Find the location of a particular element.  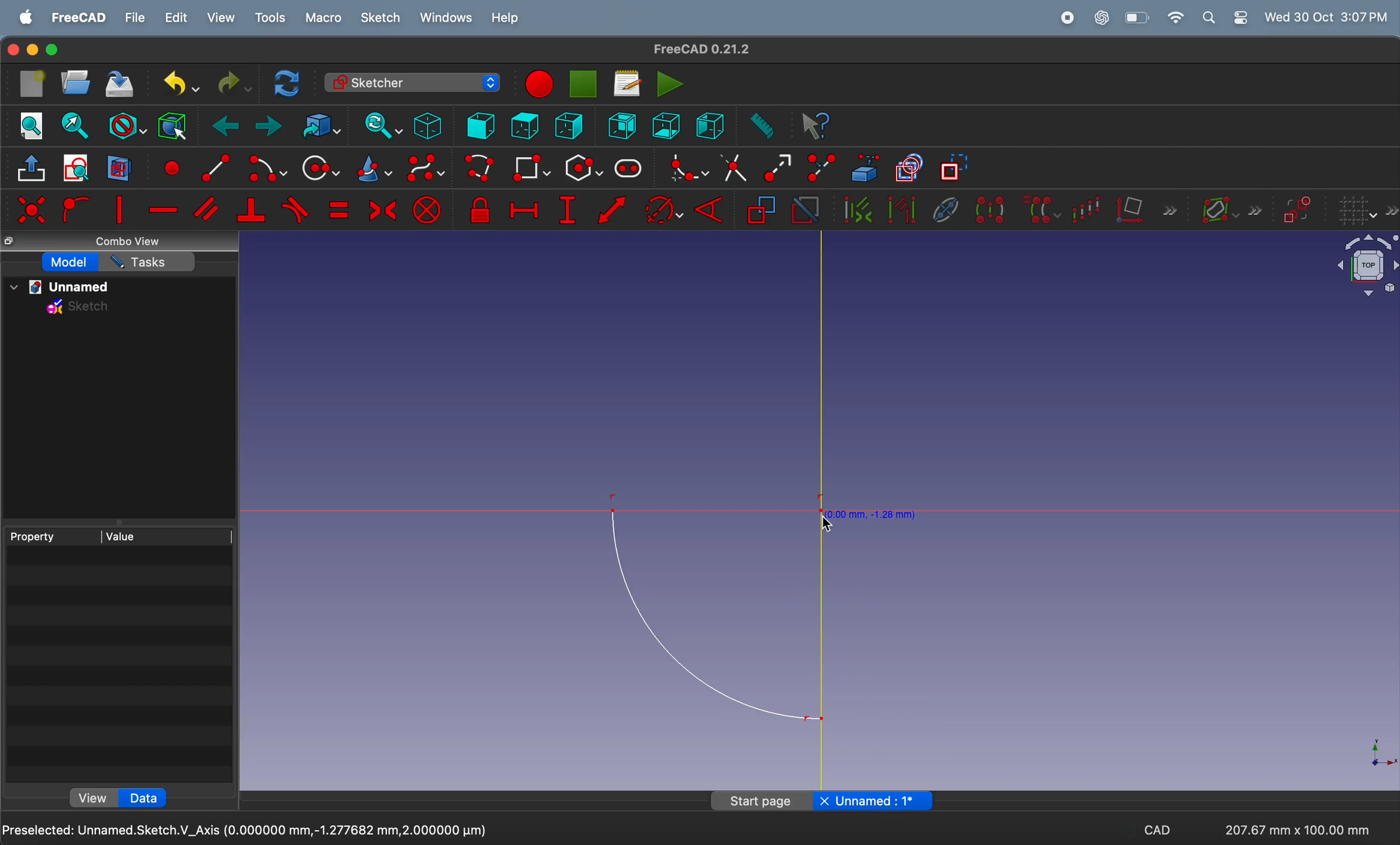

sync view is located at coordinates (378, 126).